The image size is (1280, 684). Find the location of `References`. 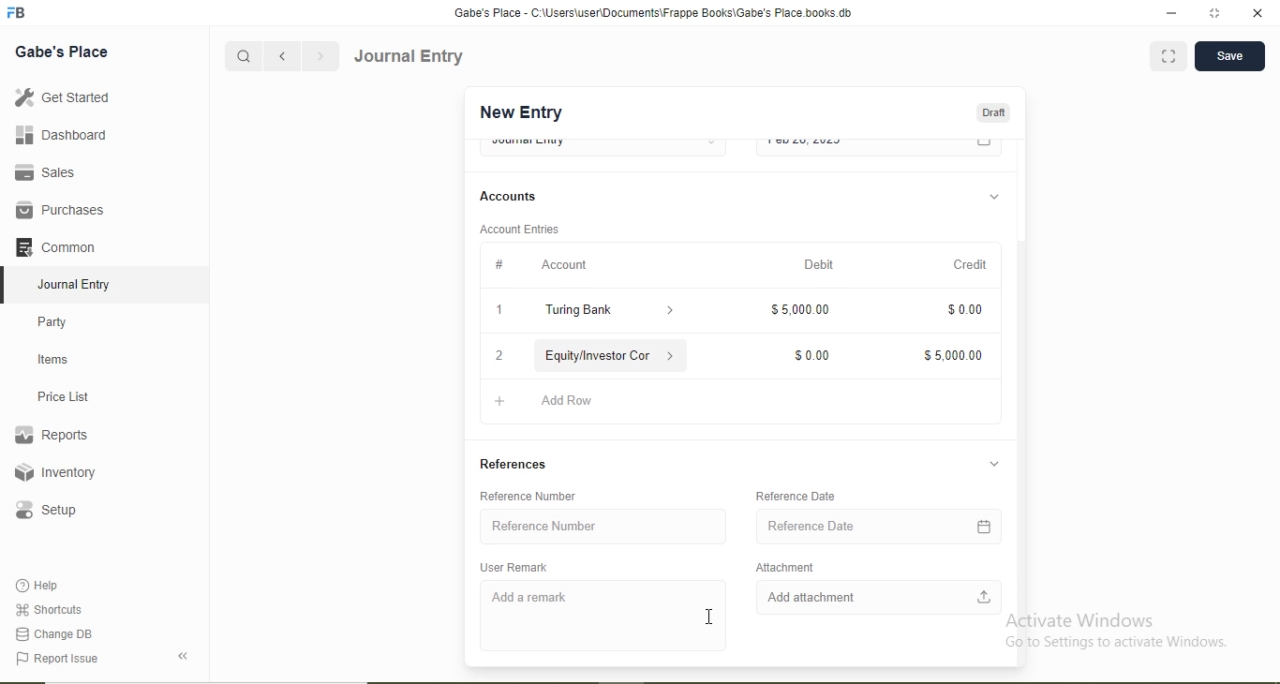

References is located at coordinates (514, 464).